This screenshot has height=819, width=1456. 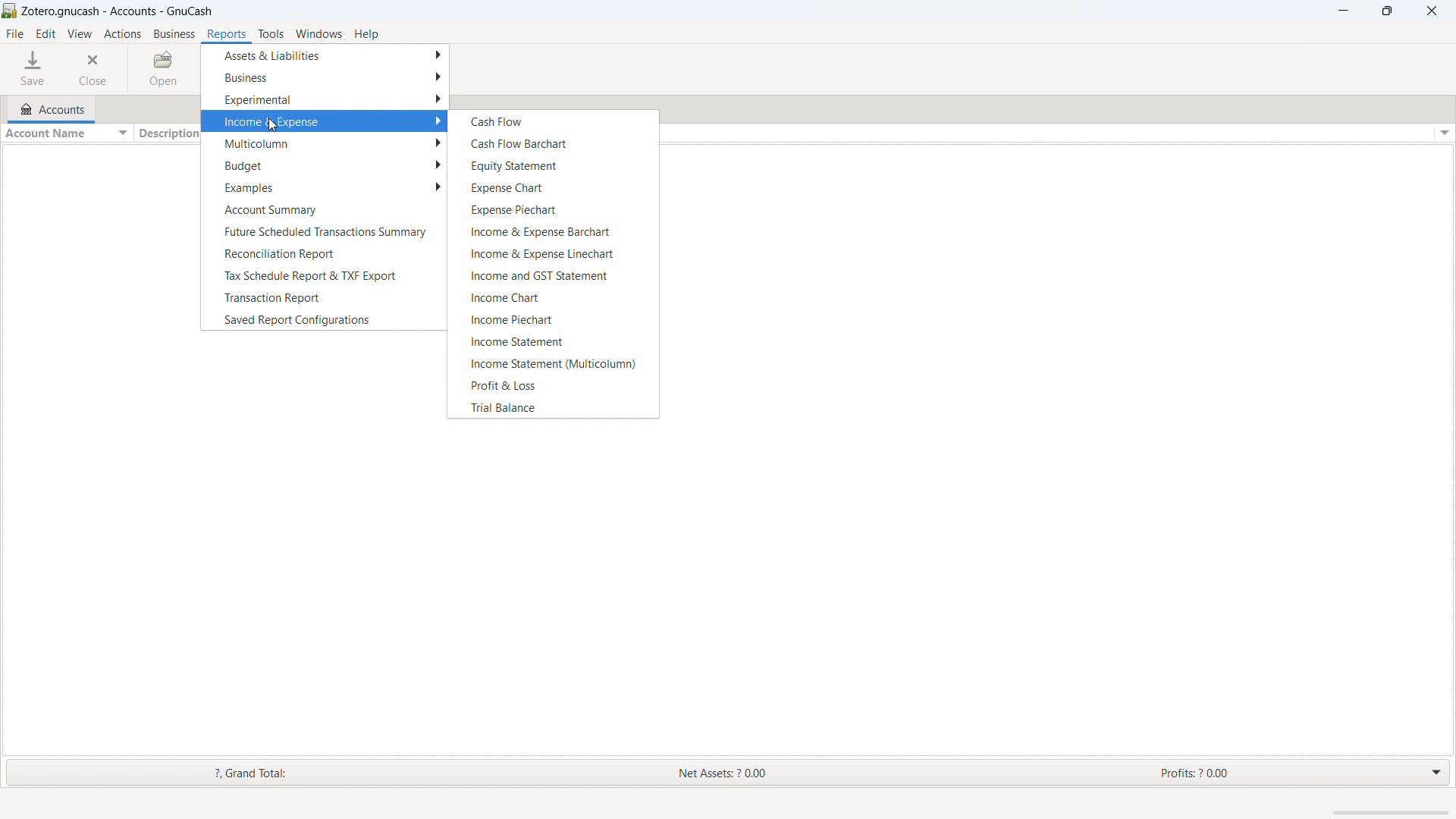 What do you see at coordinates (167, 134) in the screenshot?
I see `sort by description` at bounding box center [167, 134].